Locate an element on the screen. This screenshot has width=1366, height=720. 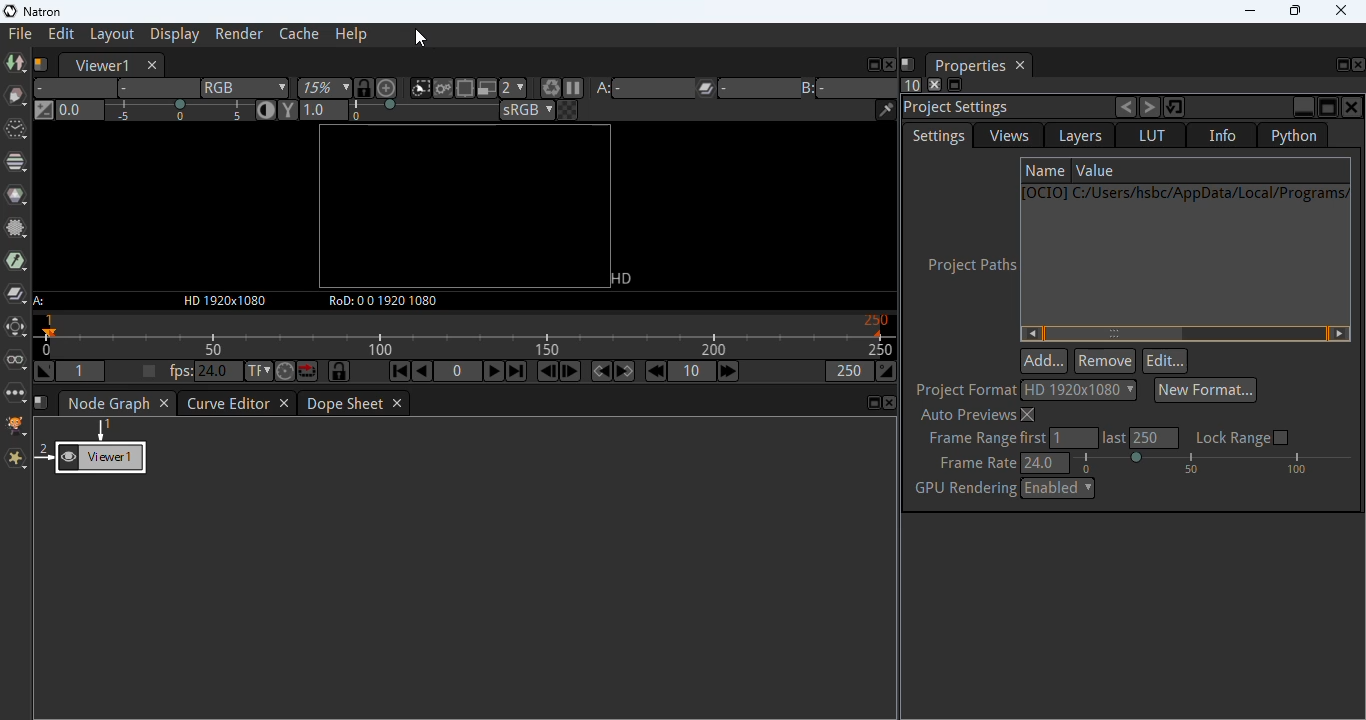
input is located at coordinates (40, 300).